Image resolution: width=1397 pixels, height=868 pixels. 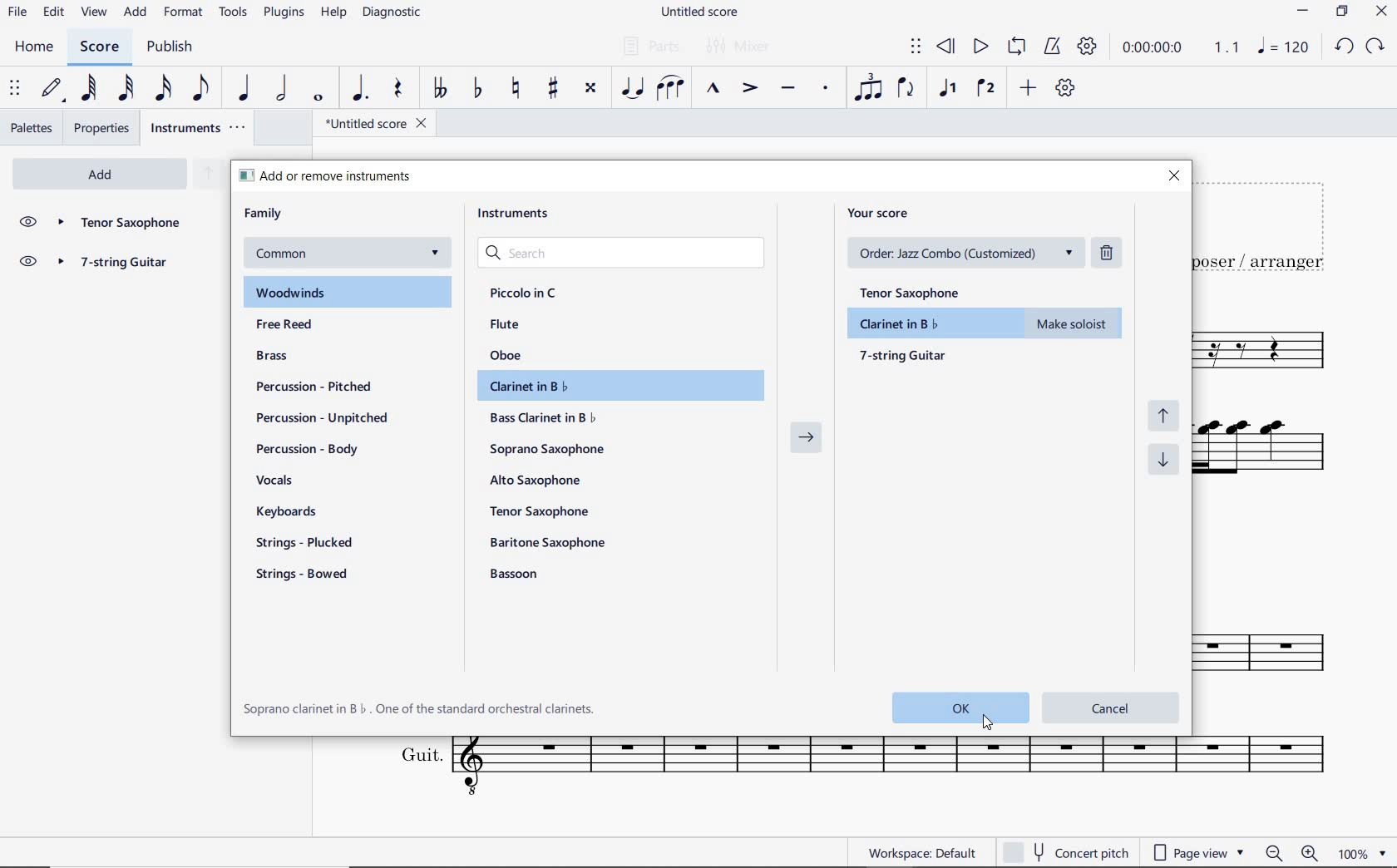 I want to click on PLAY, so click(x=978, y=47).